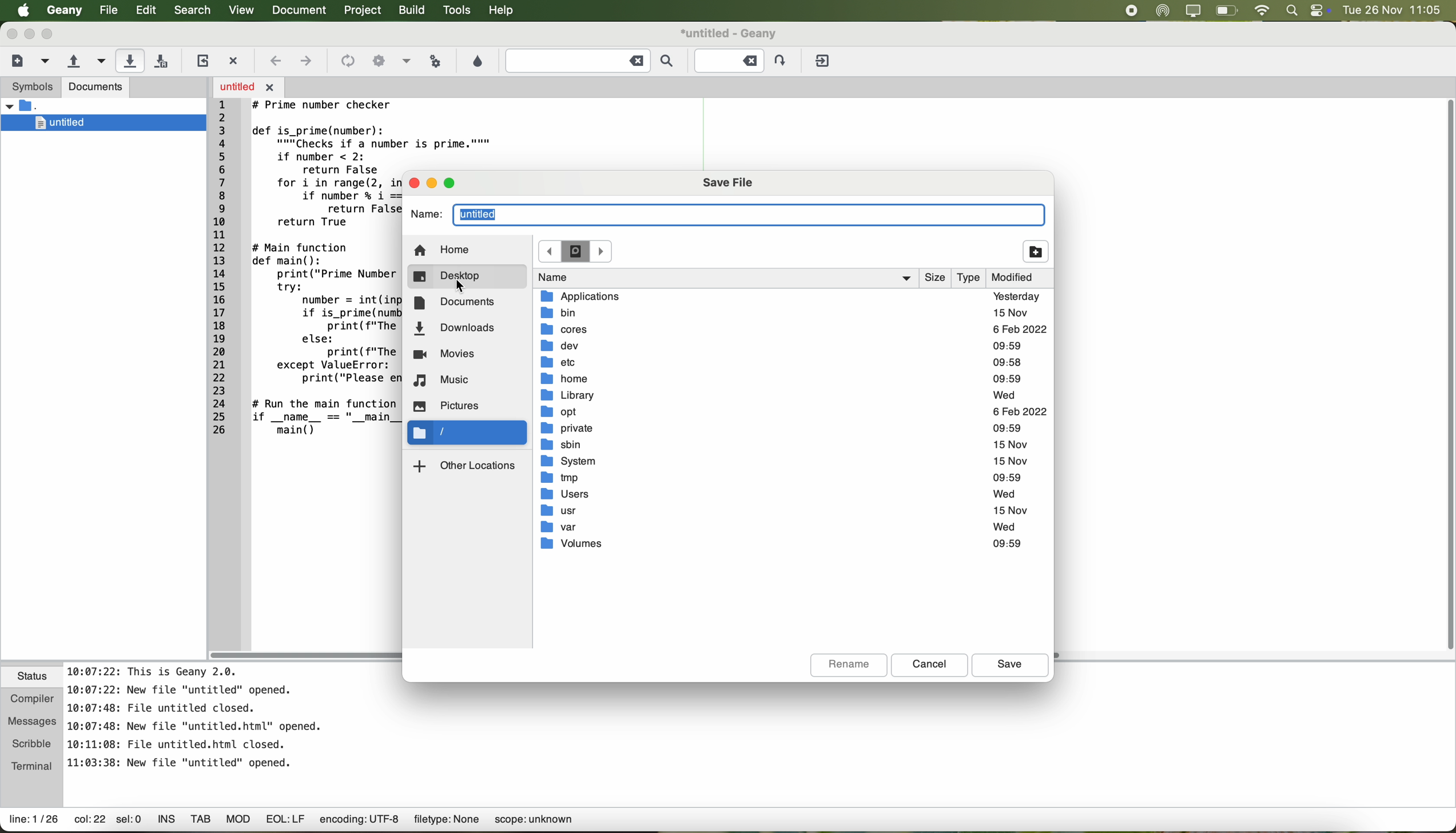  What do you see at coordinates (452, 183) in the screenshot?
I see `maximize pop-up` at bounding box center [452, 183].